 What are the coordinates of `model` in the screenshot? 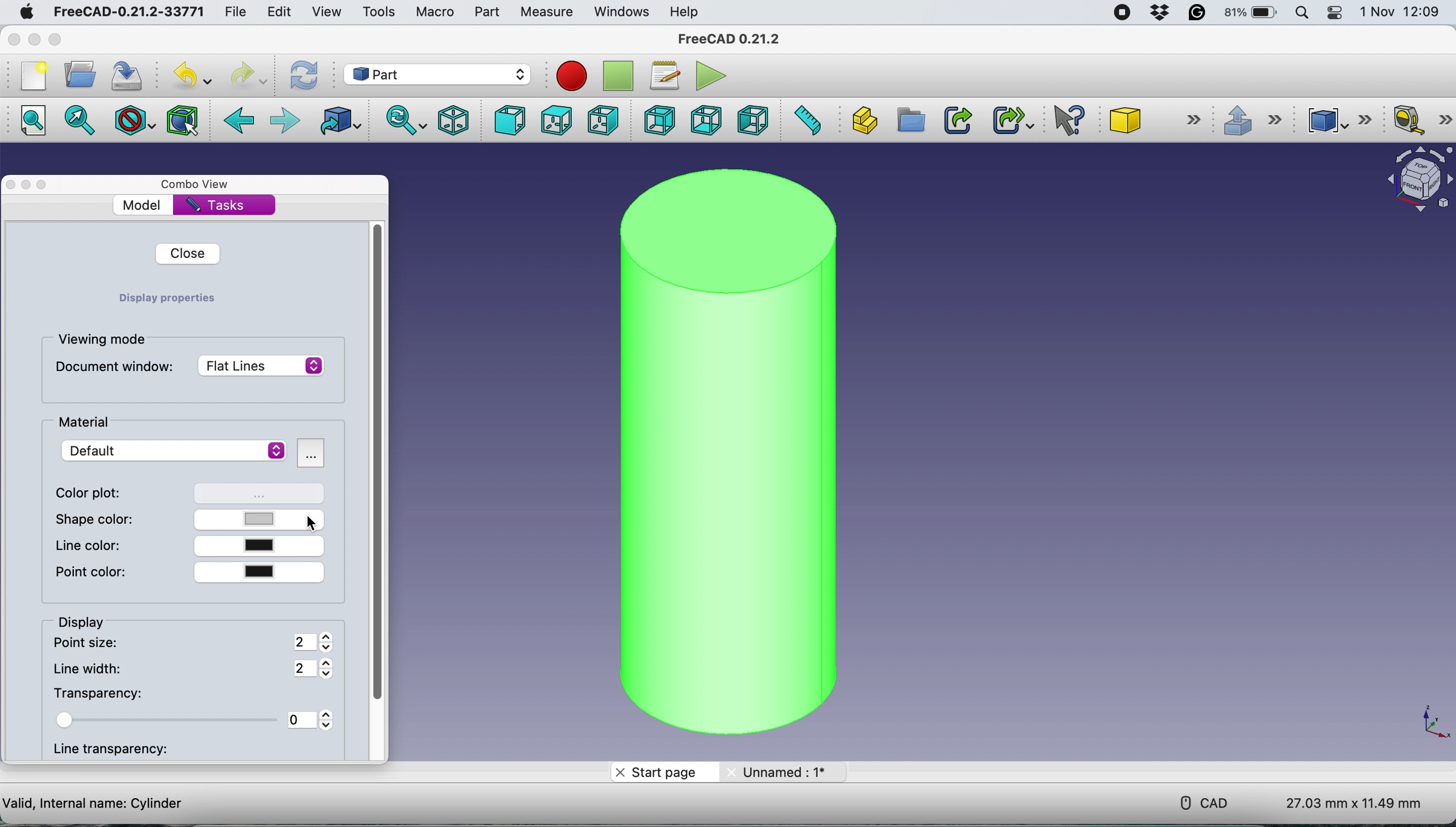 It's located at (165, 204).